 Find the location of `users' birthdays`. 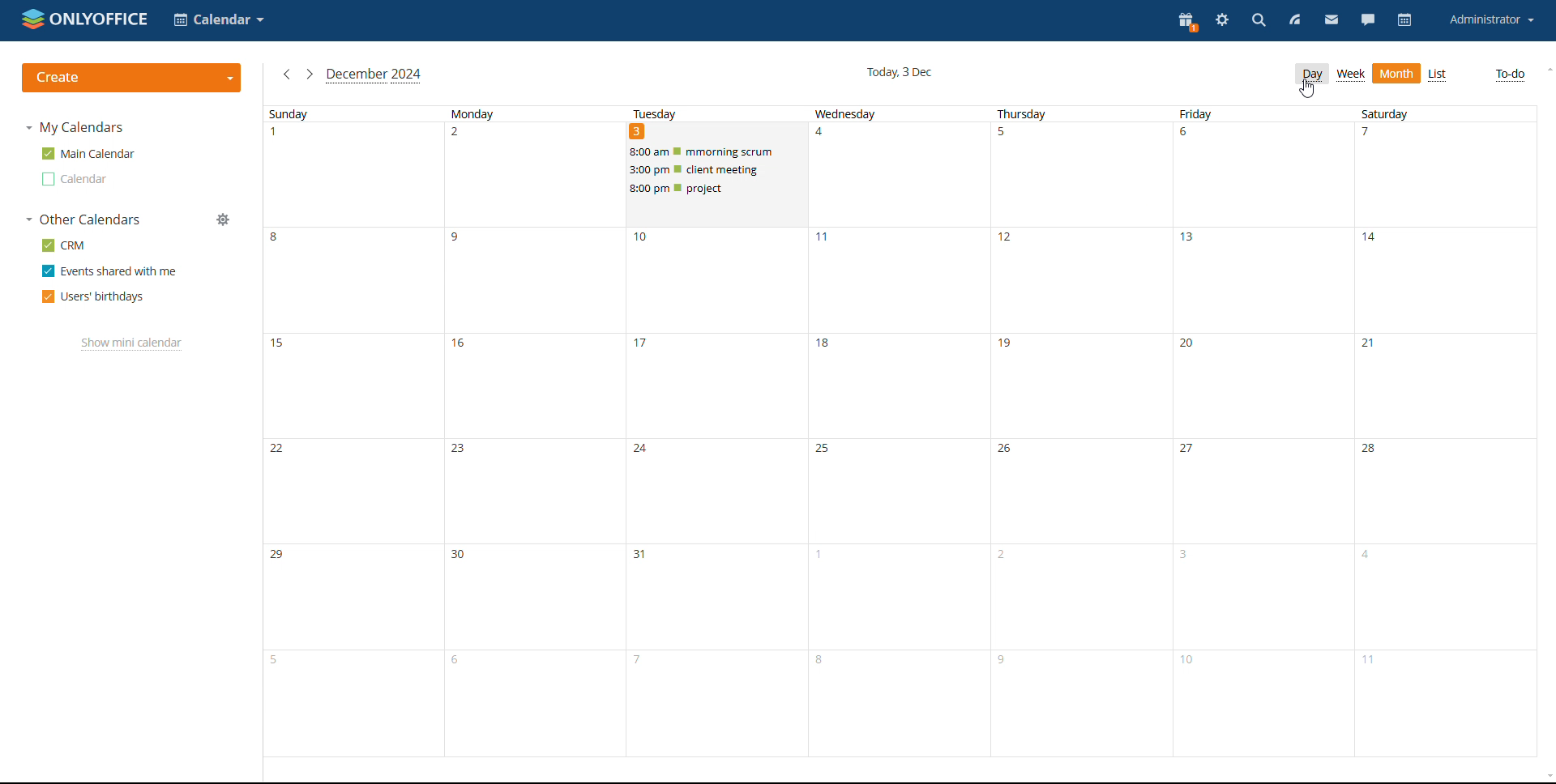

users' birthdays is located at coordinates (92, 296).